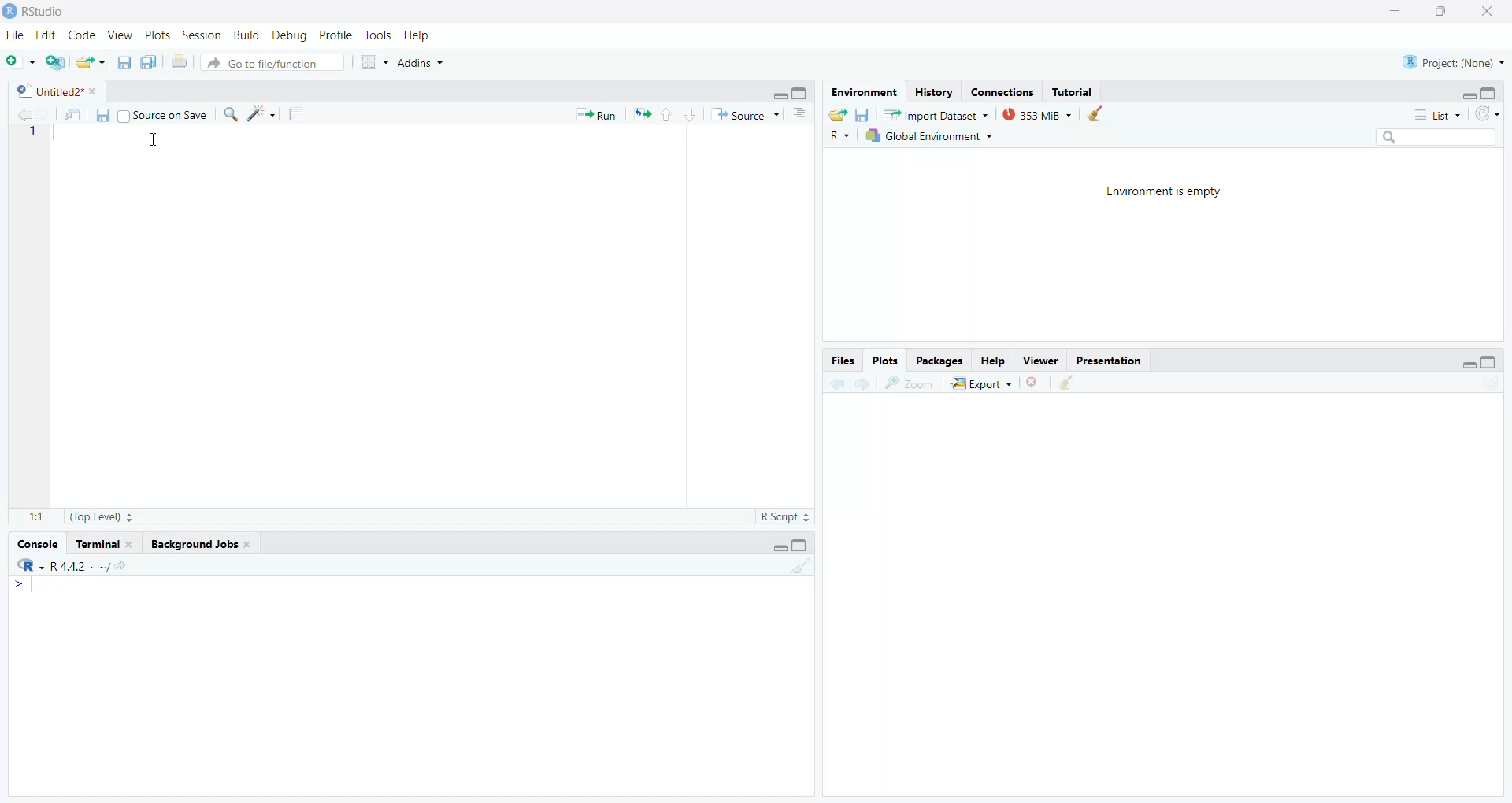 The image size is (1512, 803). Describe the element at coordinates (805, 114) in the screenshot. I see `show document outline` at that location.